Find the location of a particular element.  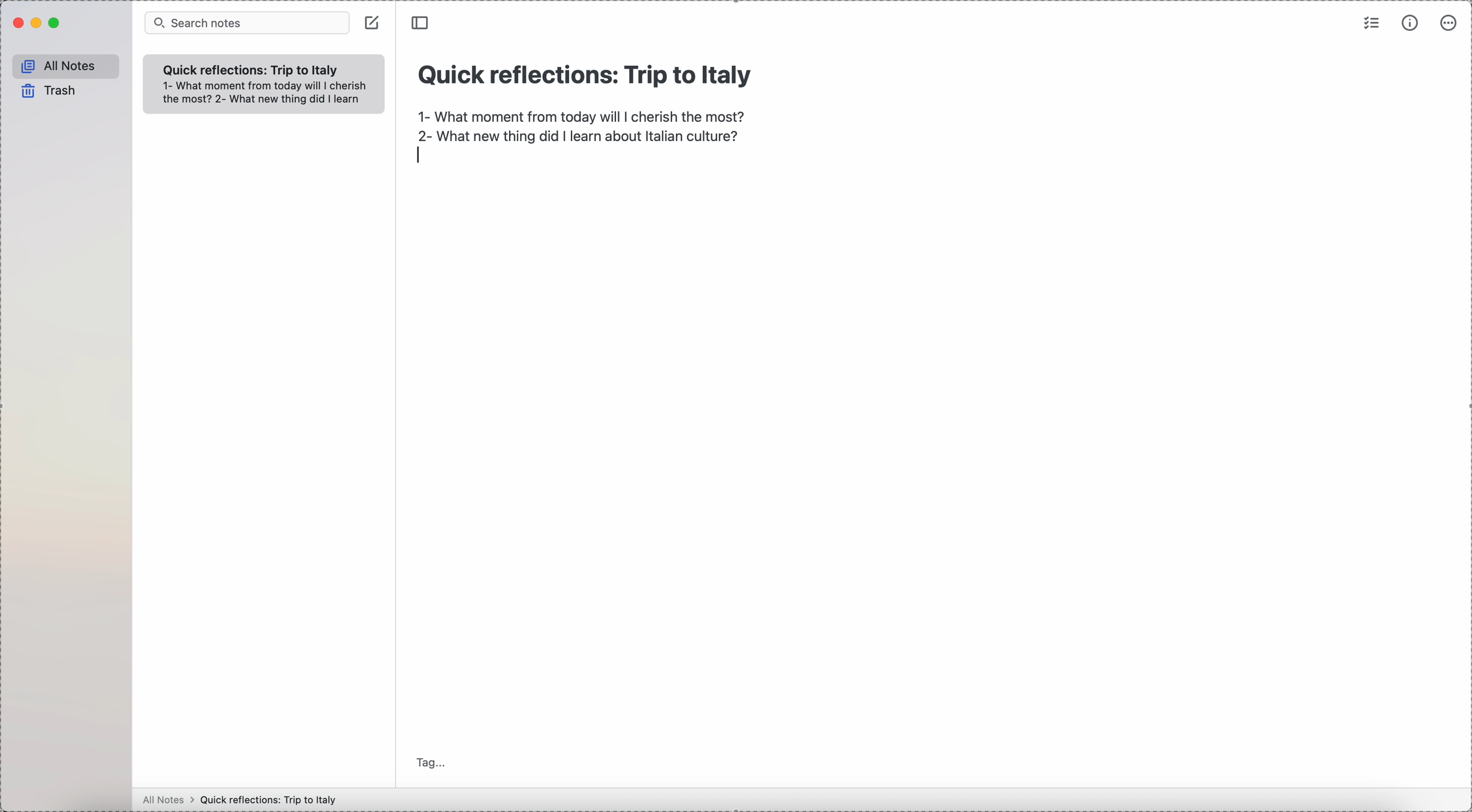

trash is located at coordinates (47, 91).